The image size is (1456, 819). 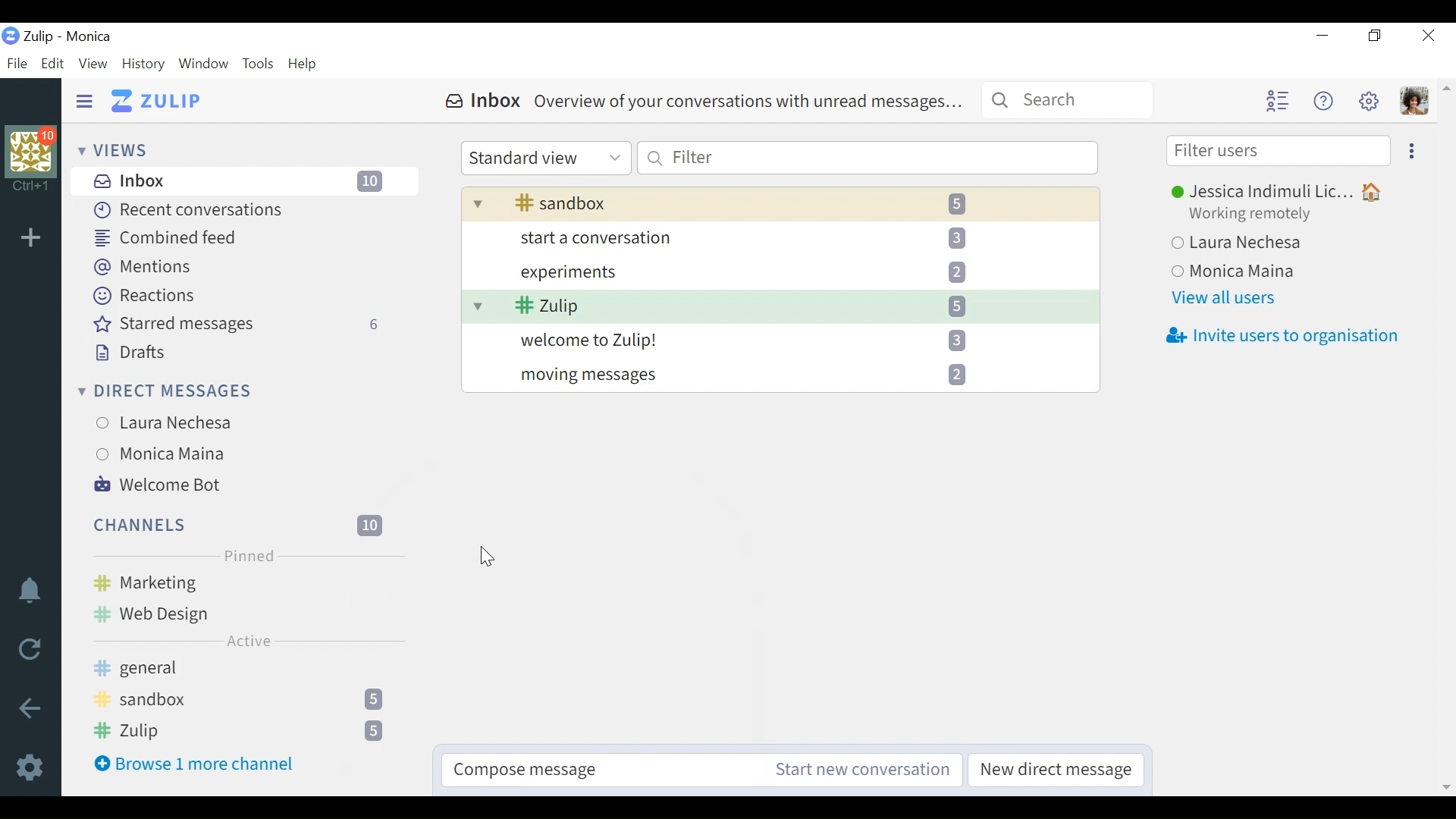 What do you see at coordinates (246, 555) in the screenshot?
I see `Pinned` at bounding box center [246, 555].